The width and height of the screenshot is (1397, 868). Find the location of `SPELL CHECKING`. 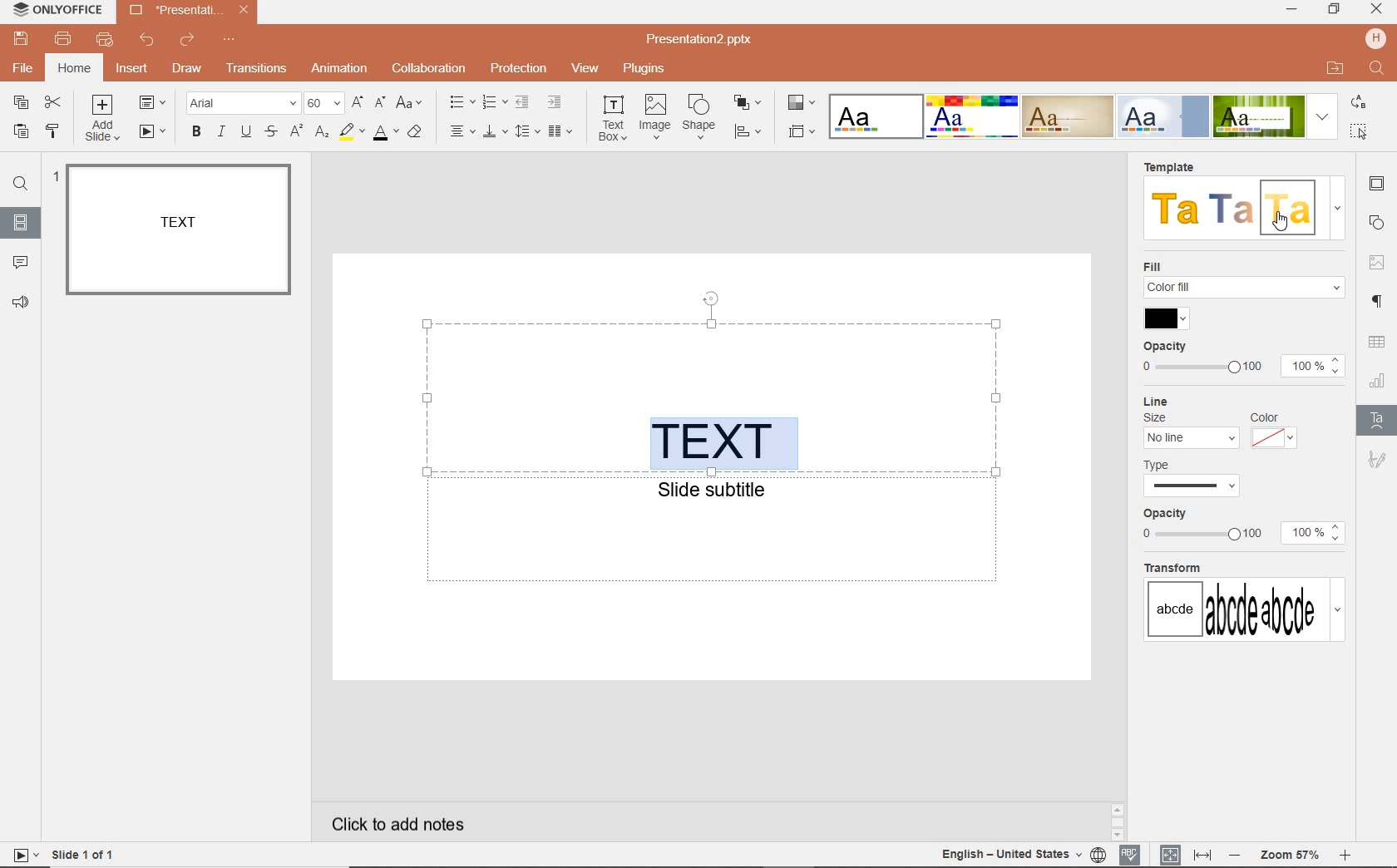

SPELL CHECKING is located at coordinates (1131, 852).